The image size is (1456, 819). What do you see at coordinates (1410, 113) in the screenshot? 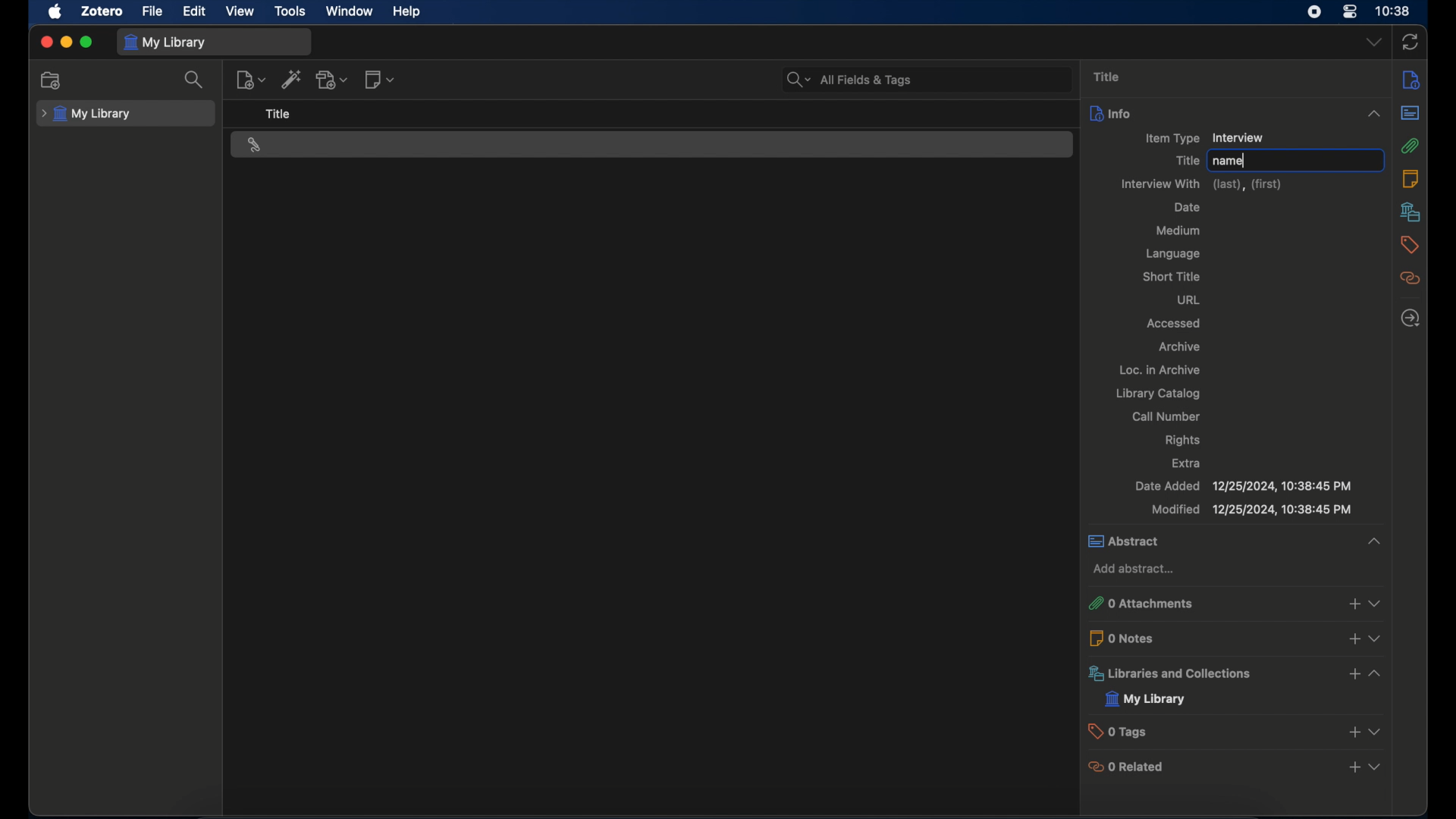
I see `abstract` at bounding box center [1410, 113].